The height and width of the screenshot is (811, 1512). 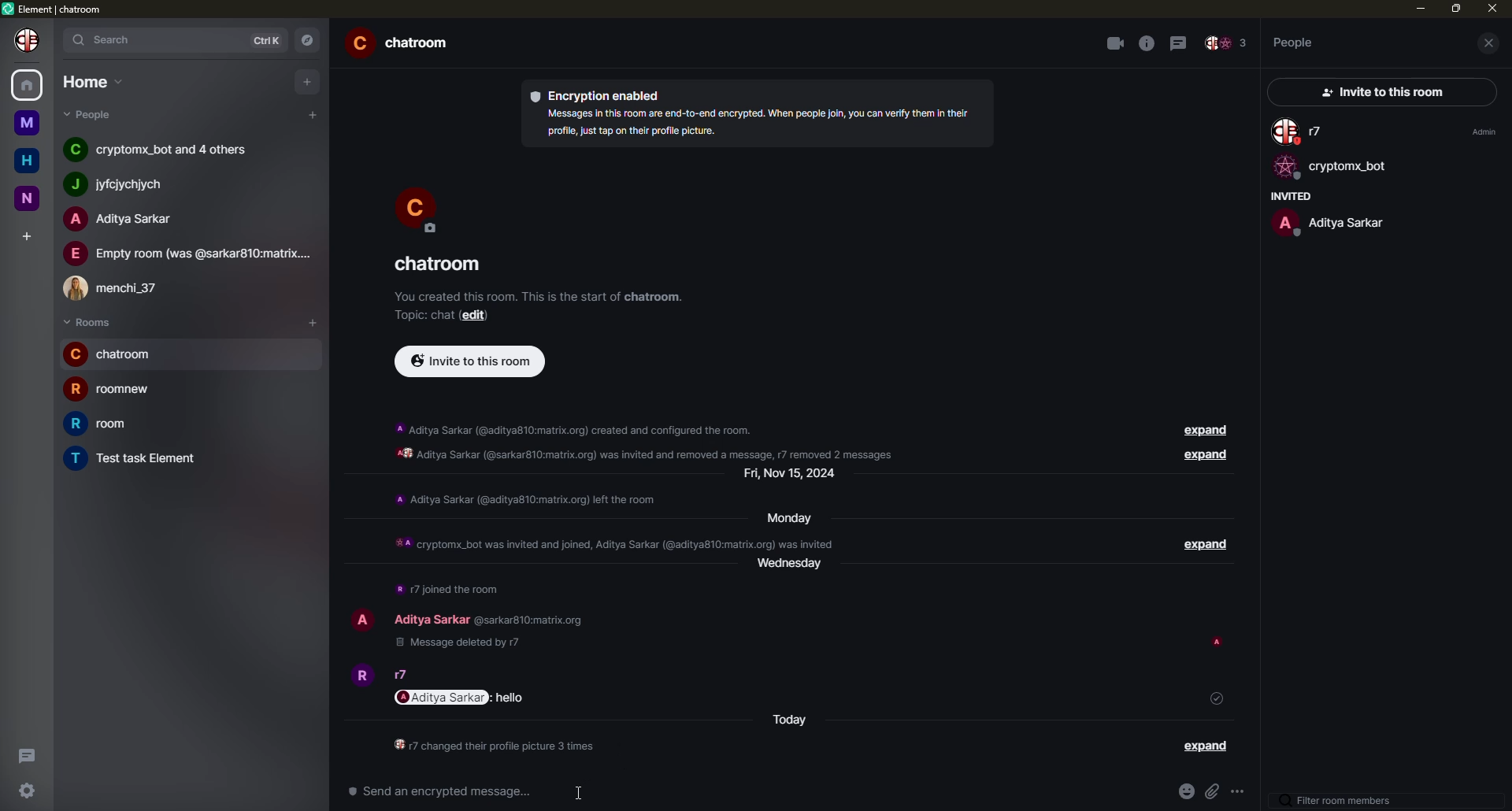 What do you see at coordinates (1199, 546) in the screenshot?
I see `expand` at bounding box center [1199, 546].